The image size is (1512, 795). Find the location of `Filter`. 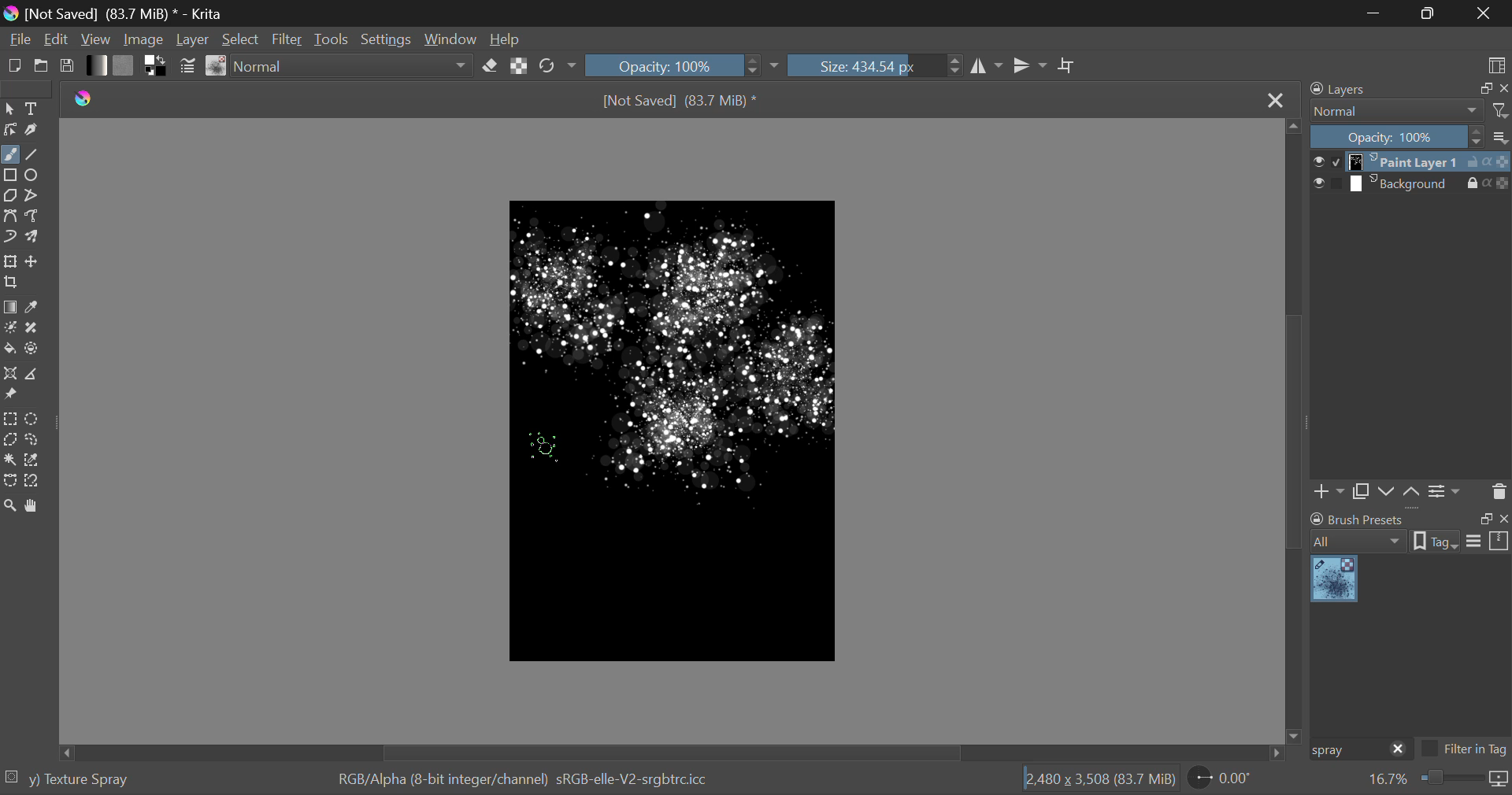

Filter is located at coordinates (287, 39).